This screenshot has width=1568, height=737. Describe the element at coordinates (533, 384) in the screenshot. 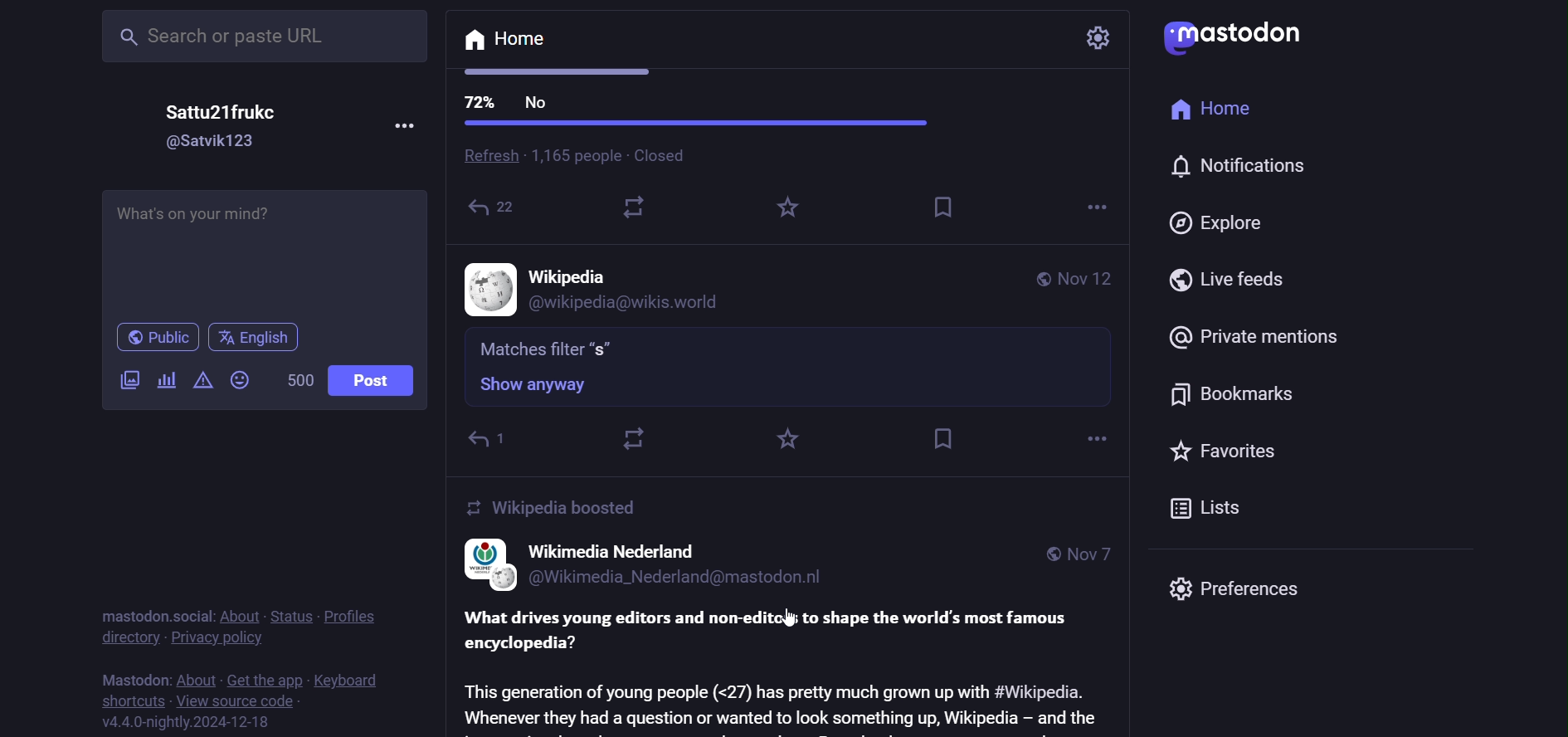

I see `Show anyway` at that location.